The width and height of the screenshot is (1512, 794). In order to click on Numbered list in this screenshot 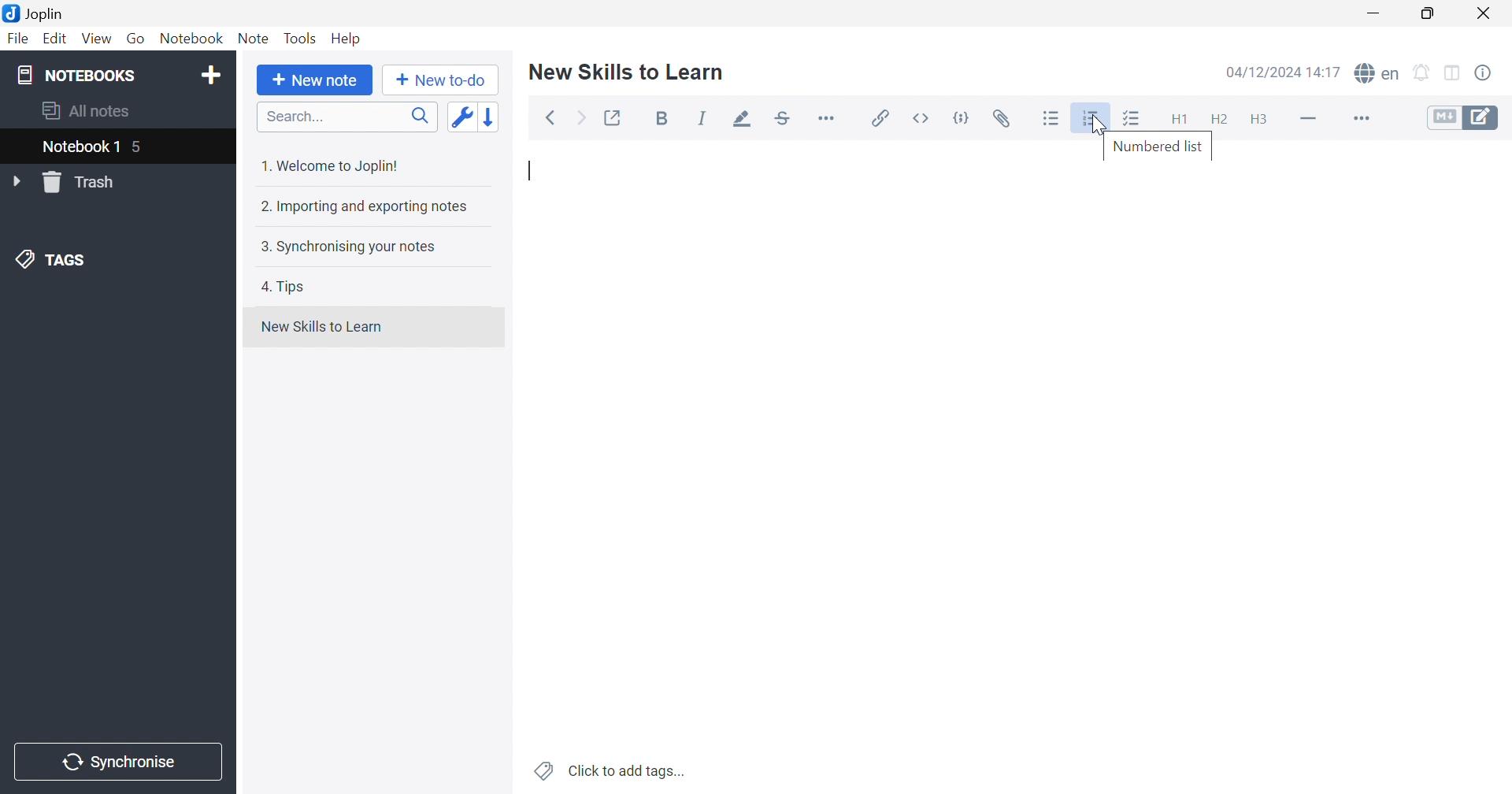, I will do `click(1157, 146)`.